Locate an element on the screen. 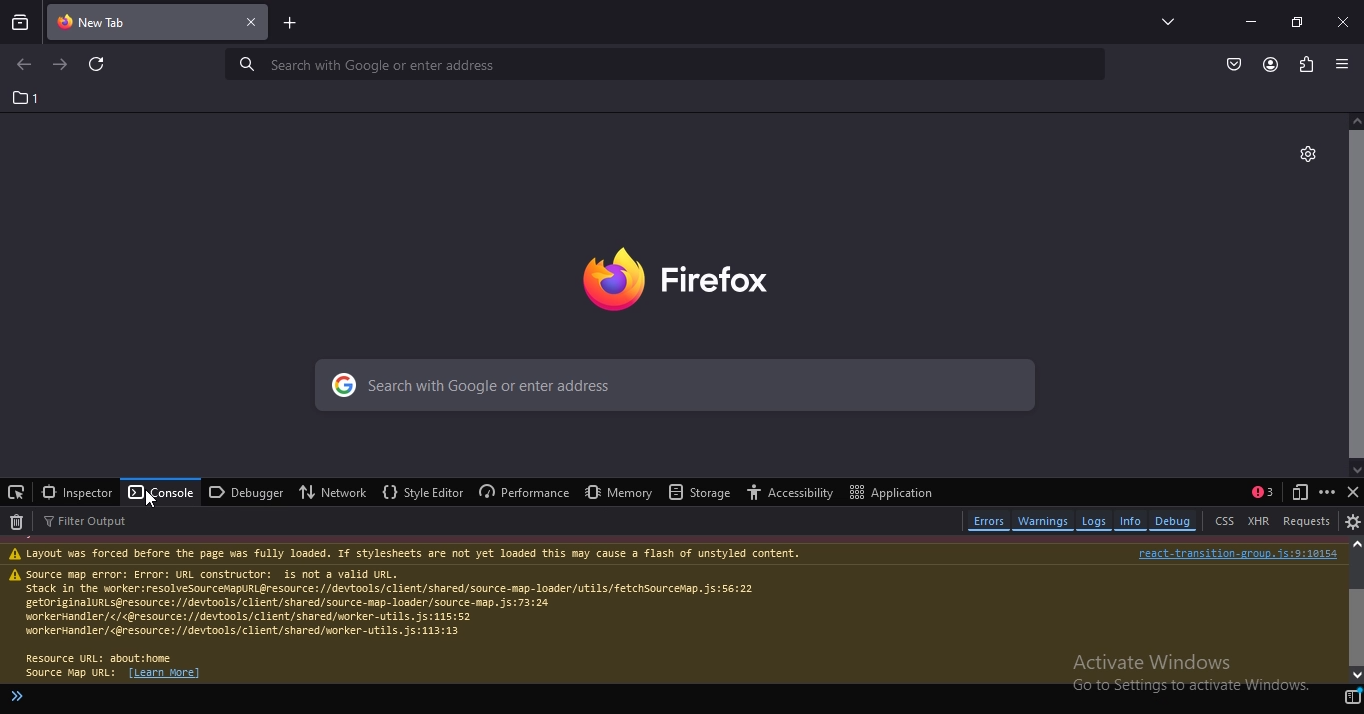 This screenshot has width=1364, height=714. memory is located at coordinates (619, 491).